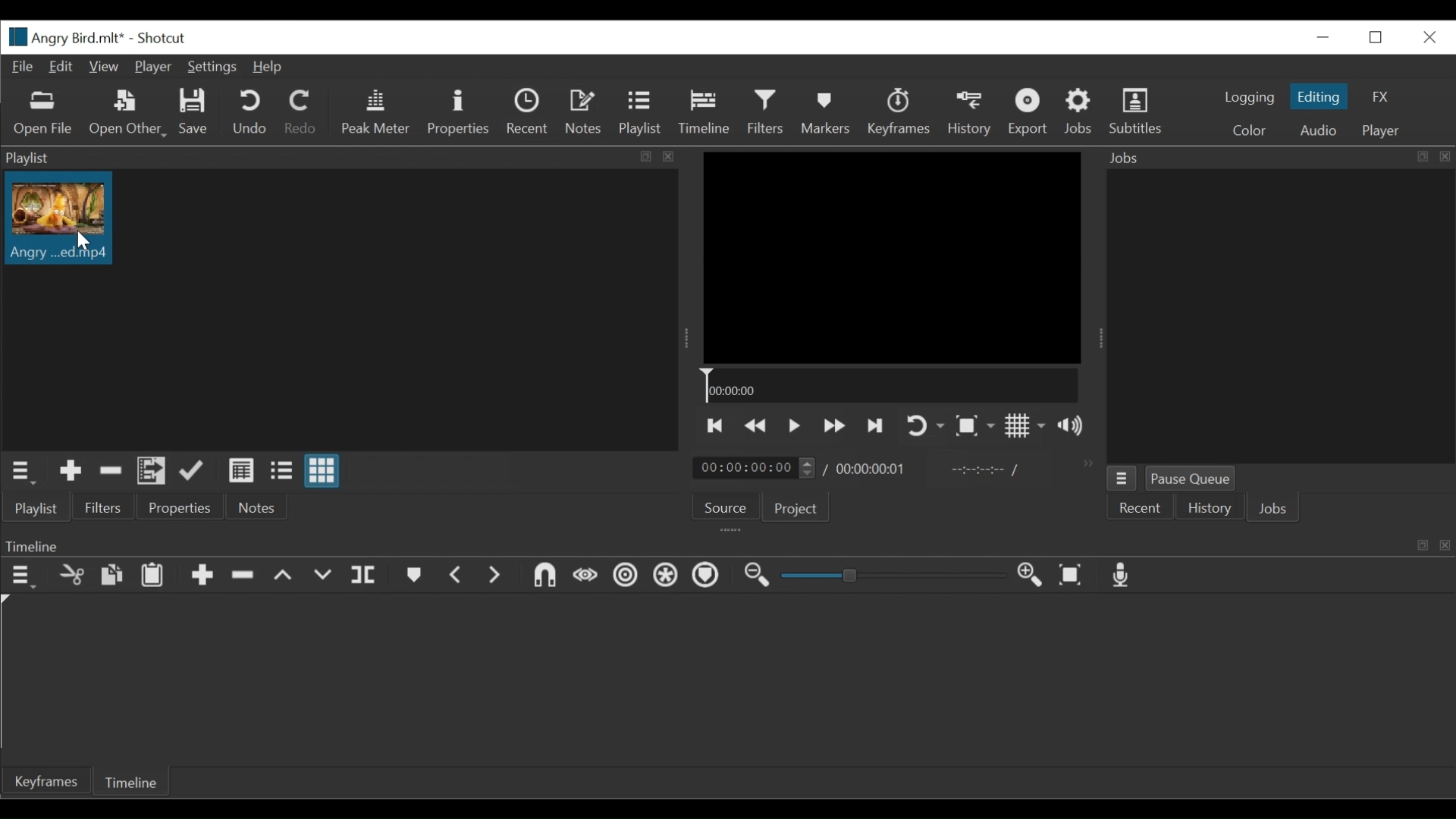  I want to click on Jobs, so click(1272, 508).